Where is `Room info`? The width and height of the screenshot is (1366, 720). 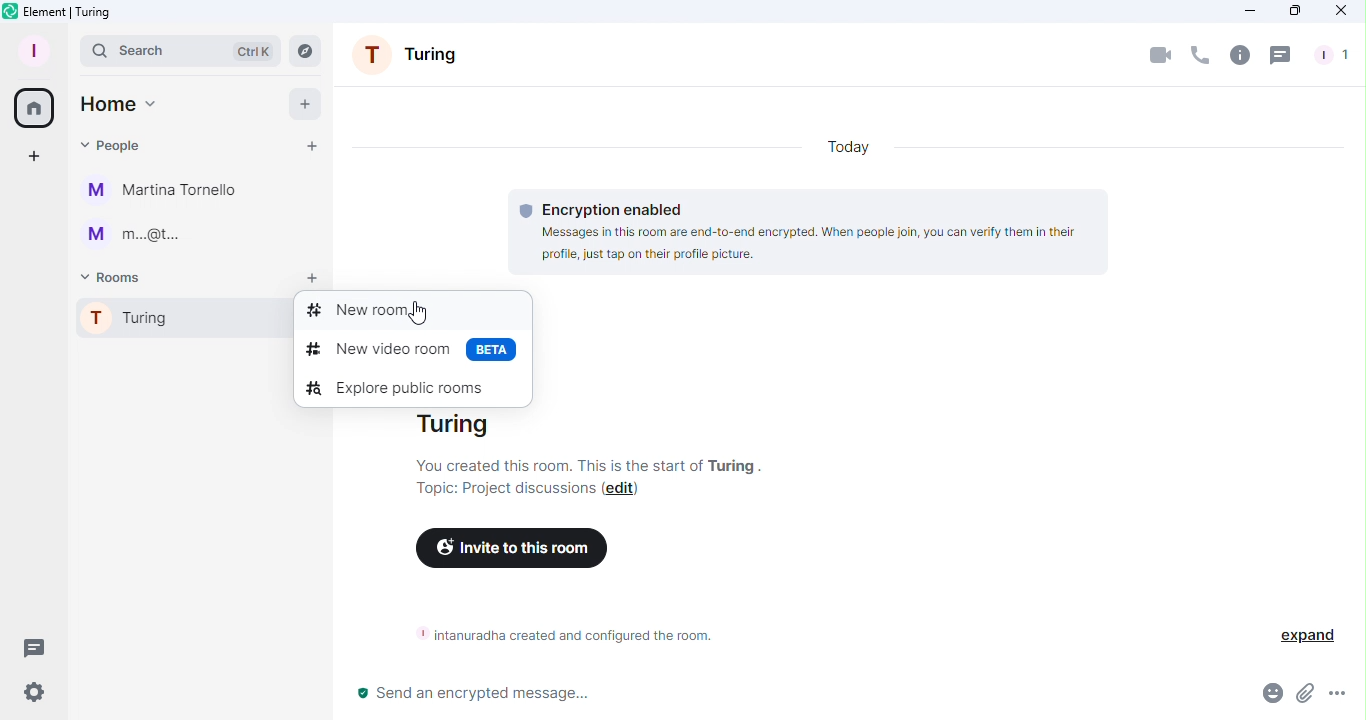
Room info is located at coordinates (1239, 54).